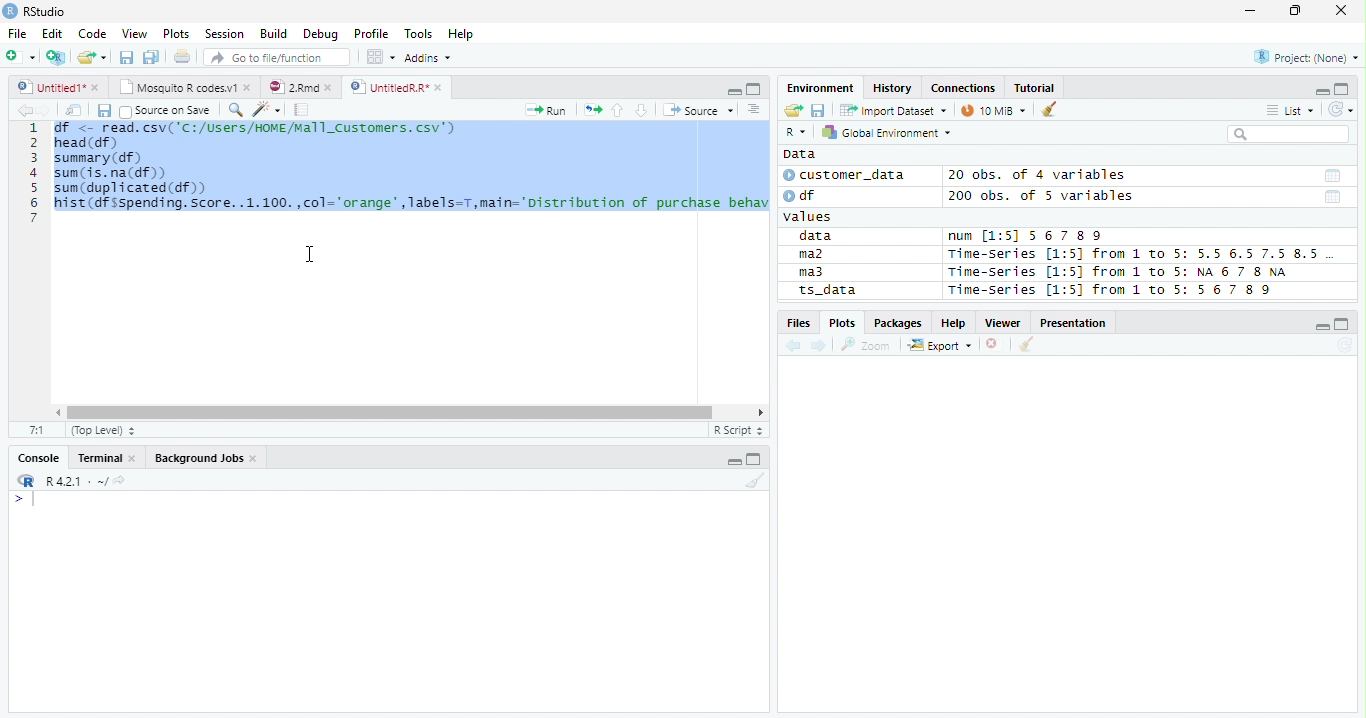 This screenshot has width=1366, height=718. What do you see at coordinates (887, 132) in the screenshot?
I see `Global Environment` at bounding box center [887, 132].